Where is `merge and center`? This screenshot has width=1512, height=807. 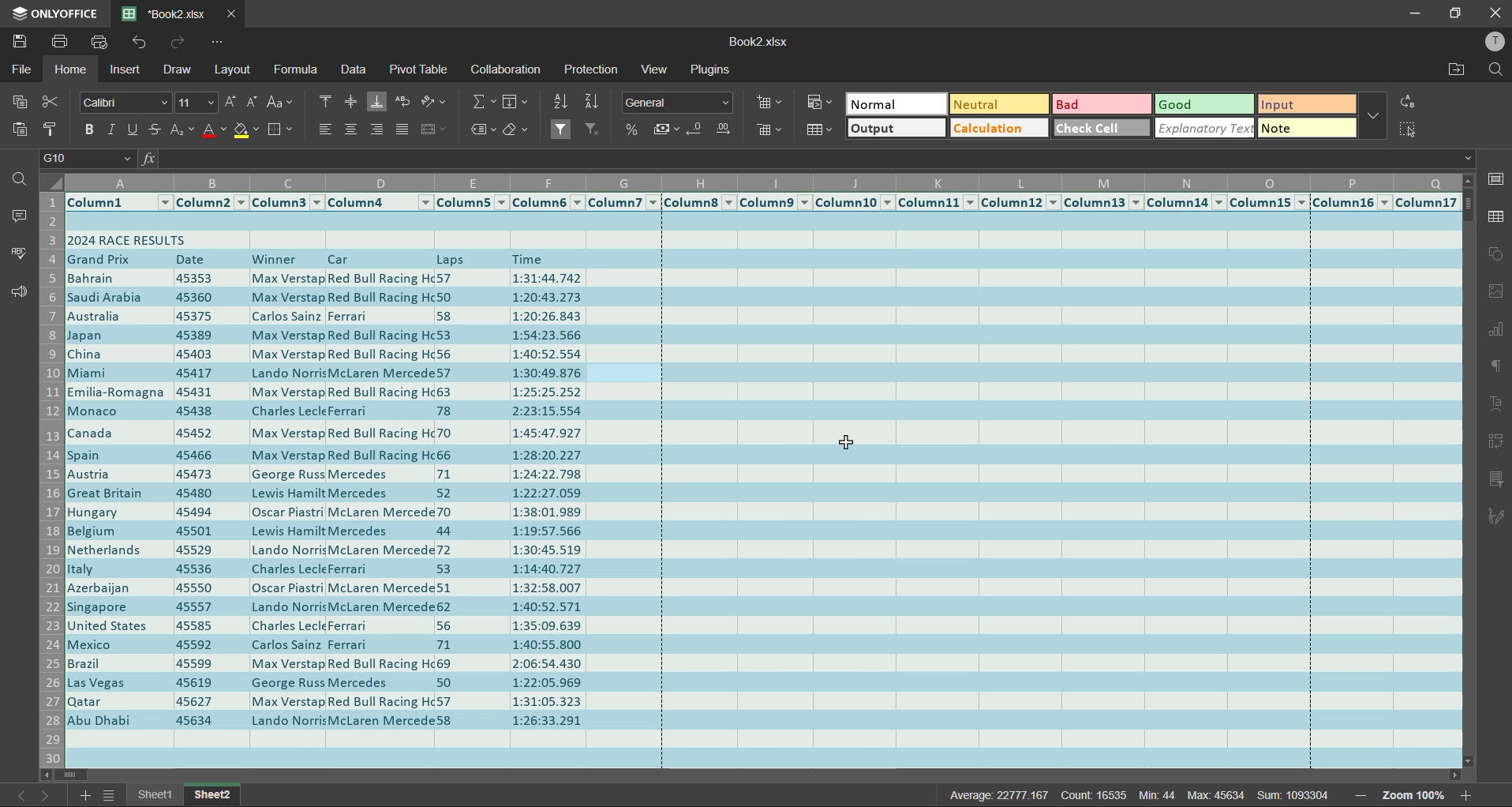
merge and center is located at coordinates (436, 130).